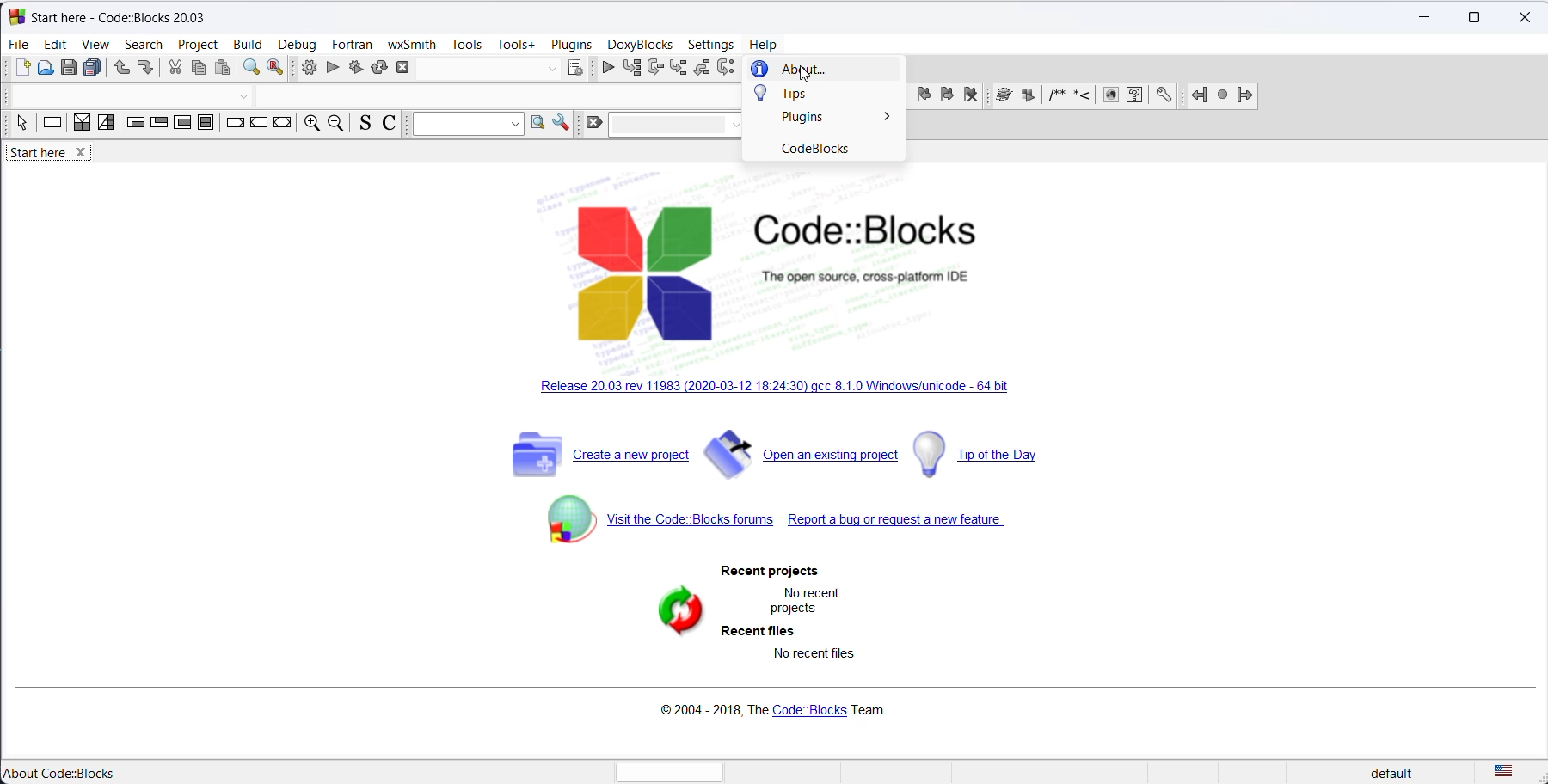  What do you see at coordinates (120, 70) in the screenshot?
I see `undo` at bounding box center [120, 70].